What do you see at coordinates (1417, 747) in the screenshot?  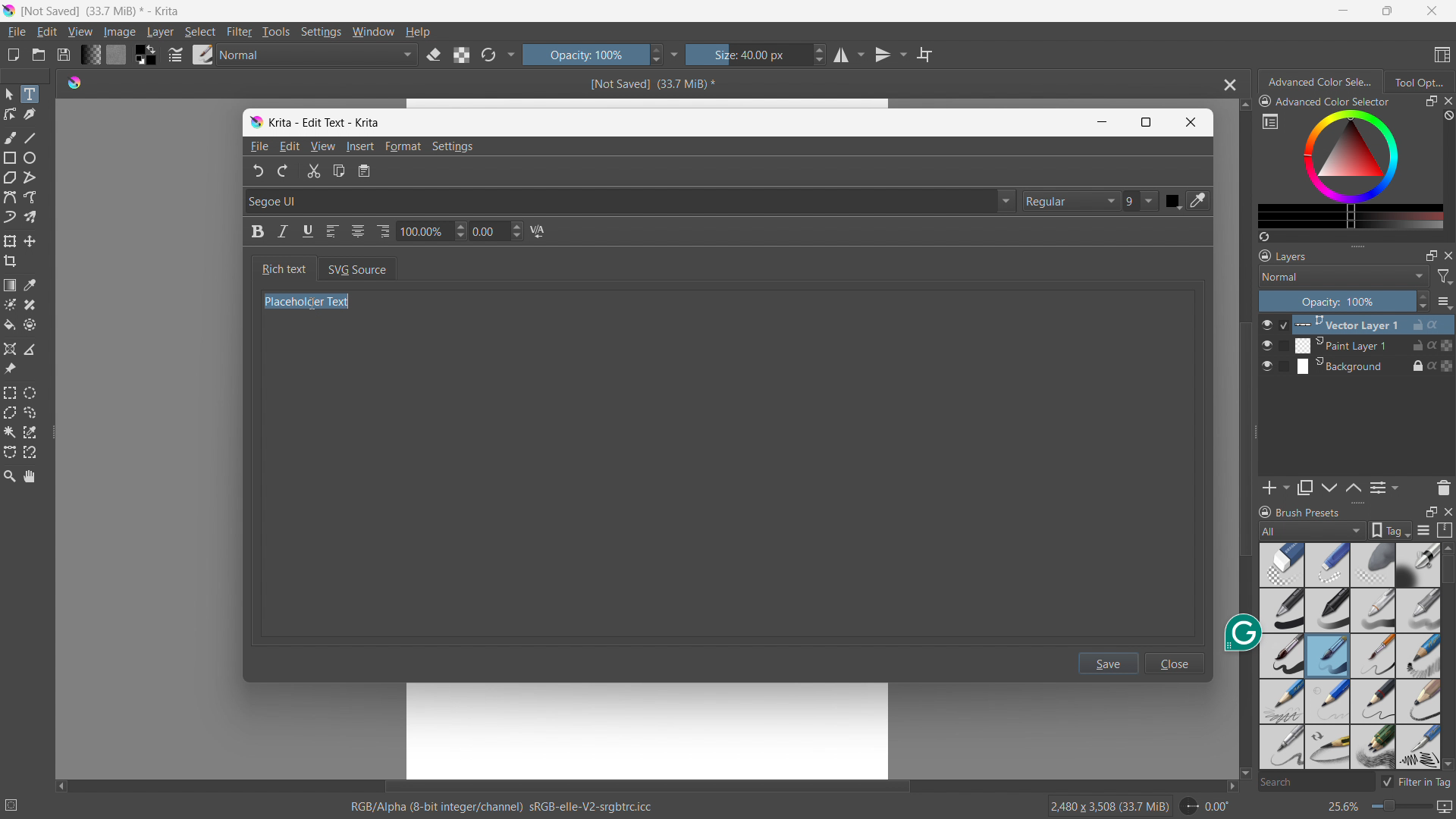 I see `pencil` at bounding box center [1417, 747].